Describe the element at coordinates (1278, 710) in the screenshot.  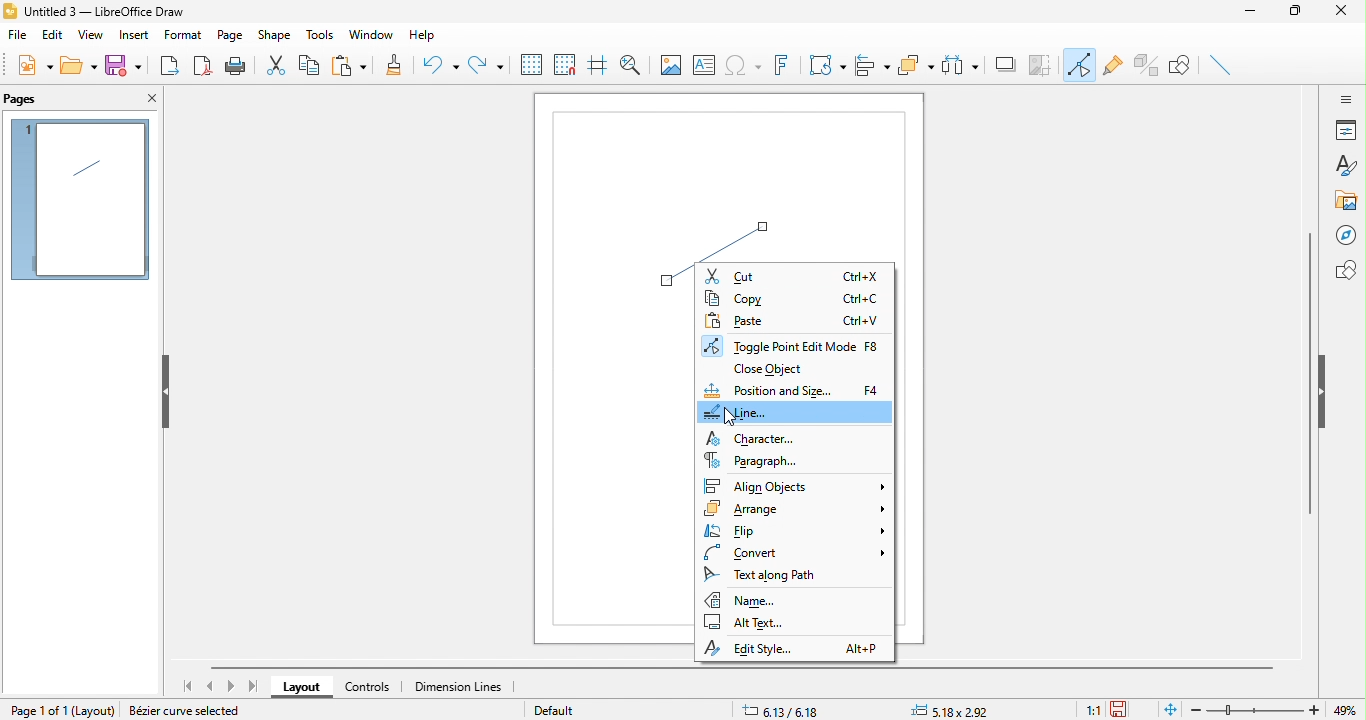
I see `zoom` at that location.